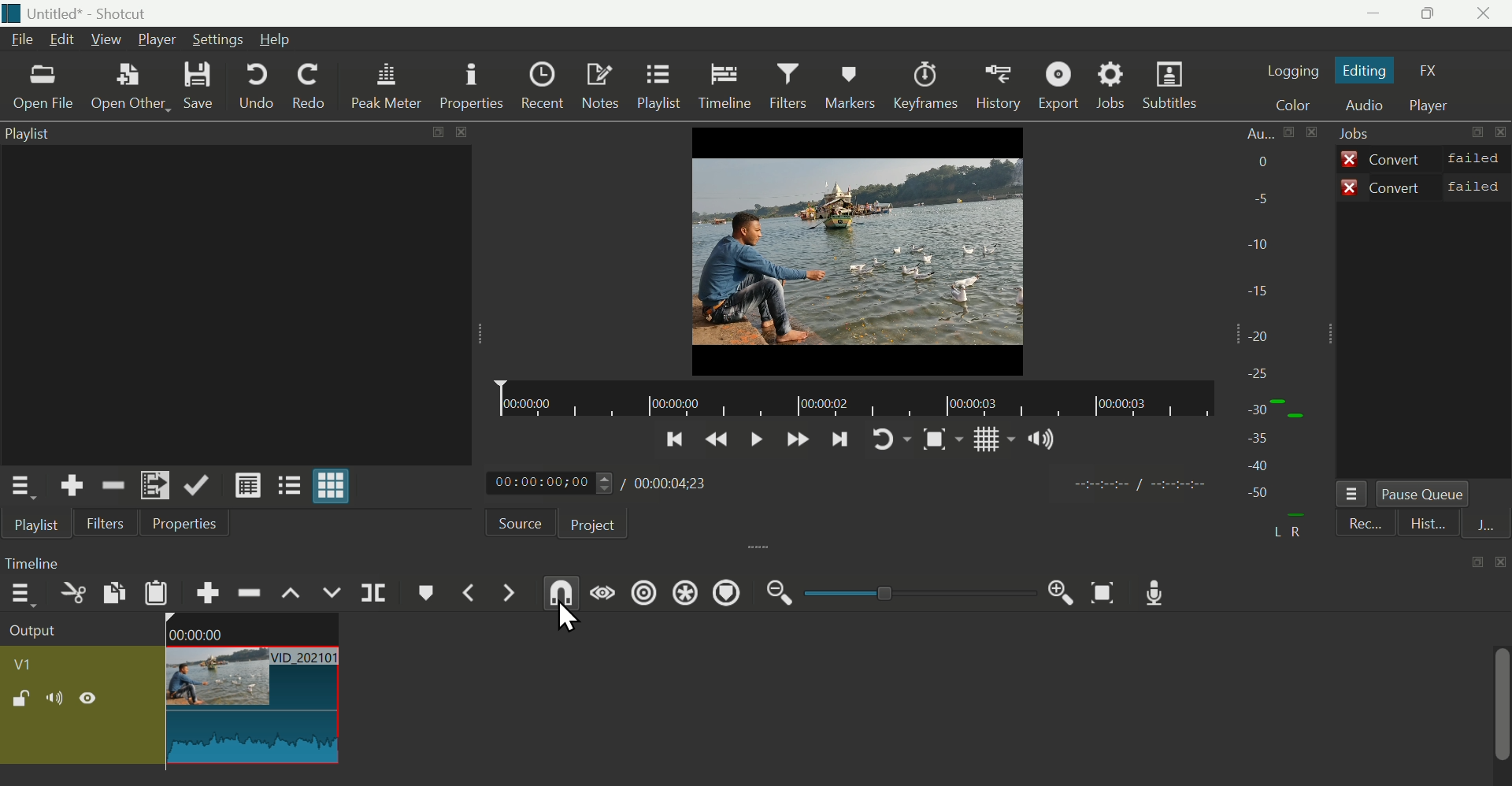 The image size is (1512, 786). Describe the element at coordinates (1039, 439) in the screenshot. I see `Sound` at that location.